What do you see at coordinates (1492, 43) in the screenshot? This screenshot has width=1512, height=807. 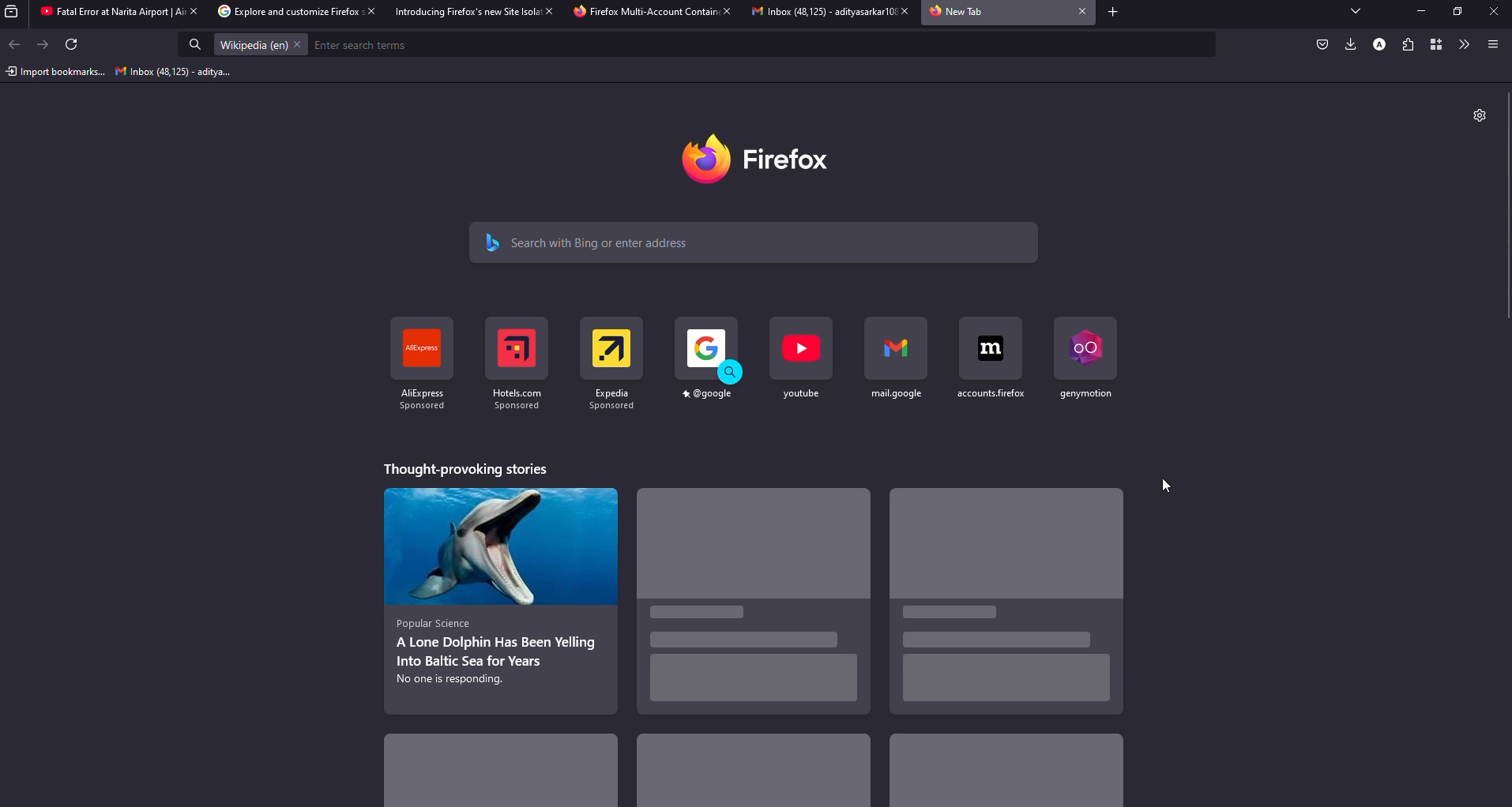 I see `menu` at bounding box center [1492, 43].